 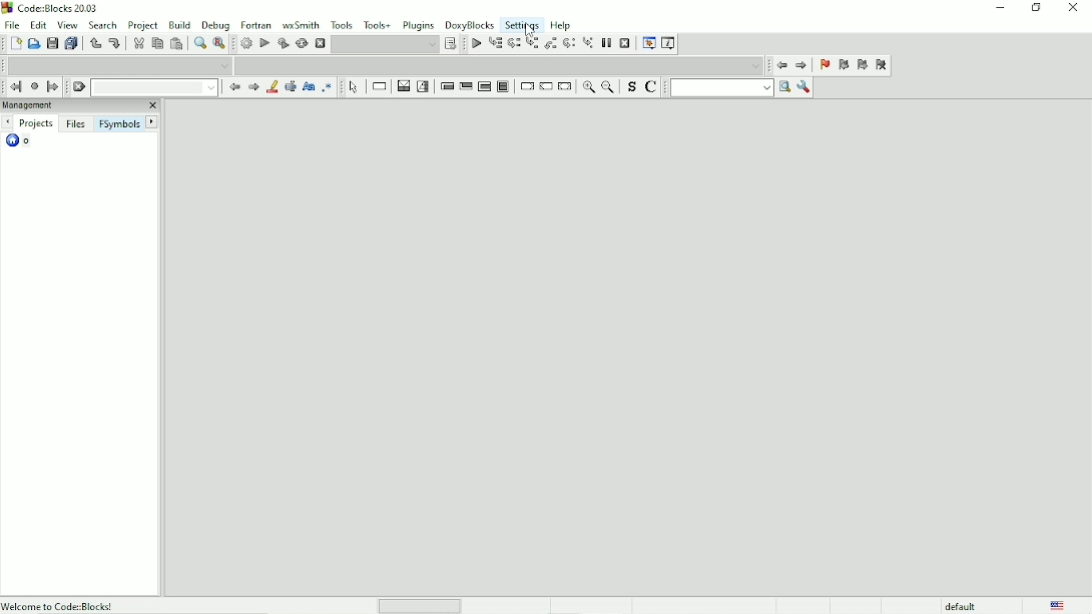 I want to click on Fortran, so click(x=255, y=25).